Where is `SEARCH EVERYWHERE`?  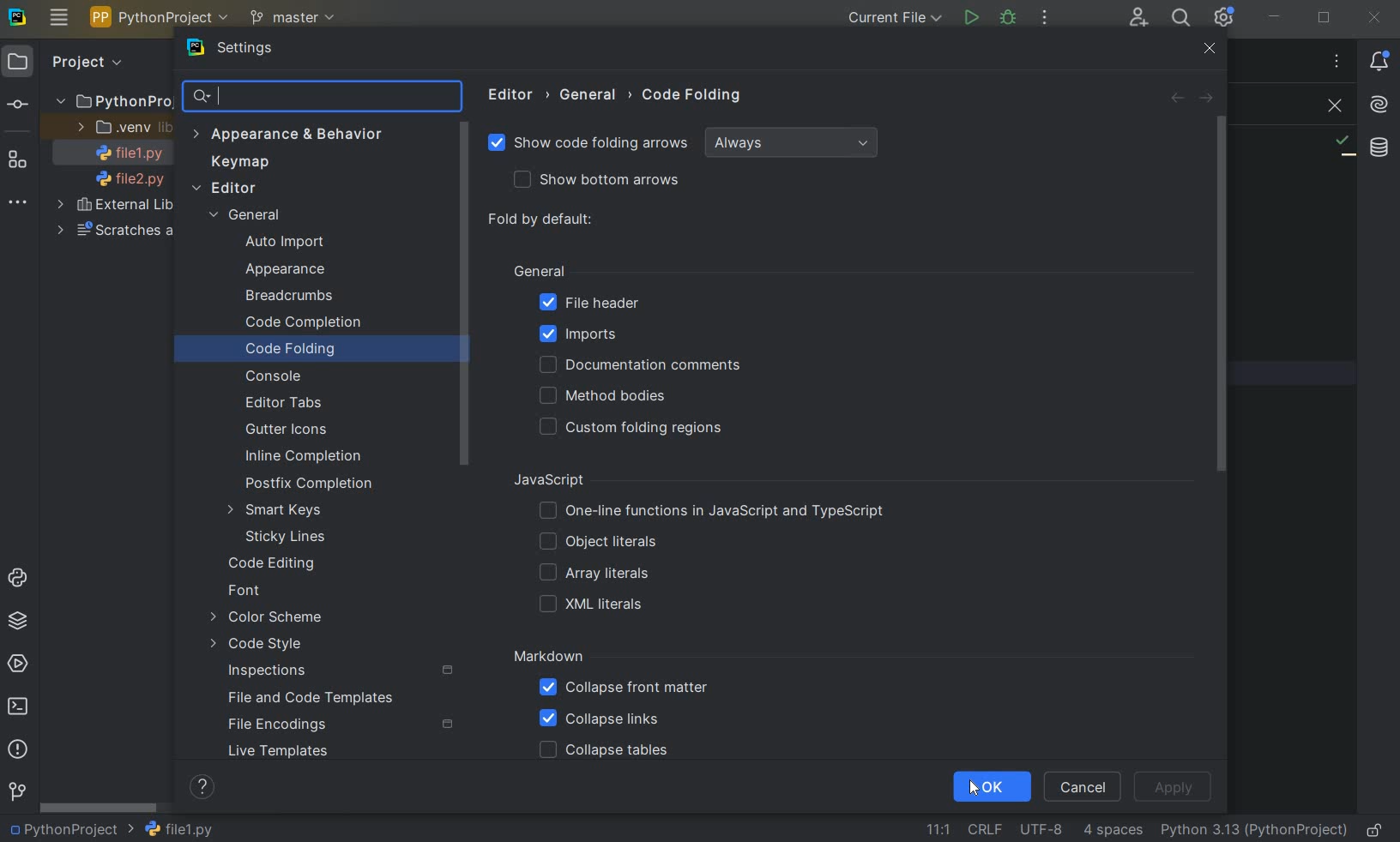
SEARCH EVERYWHERE is located at coordinates (1180, 18).